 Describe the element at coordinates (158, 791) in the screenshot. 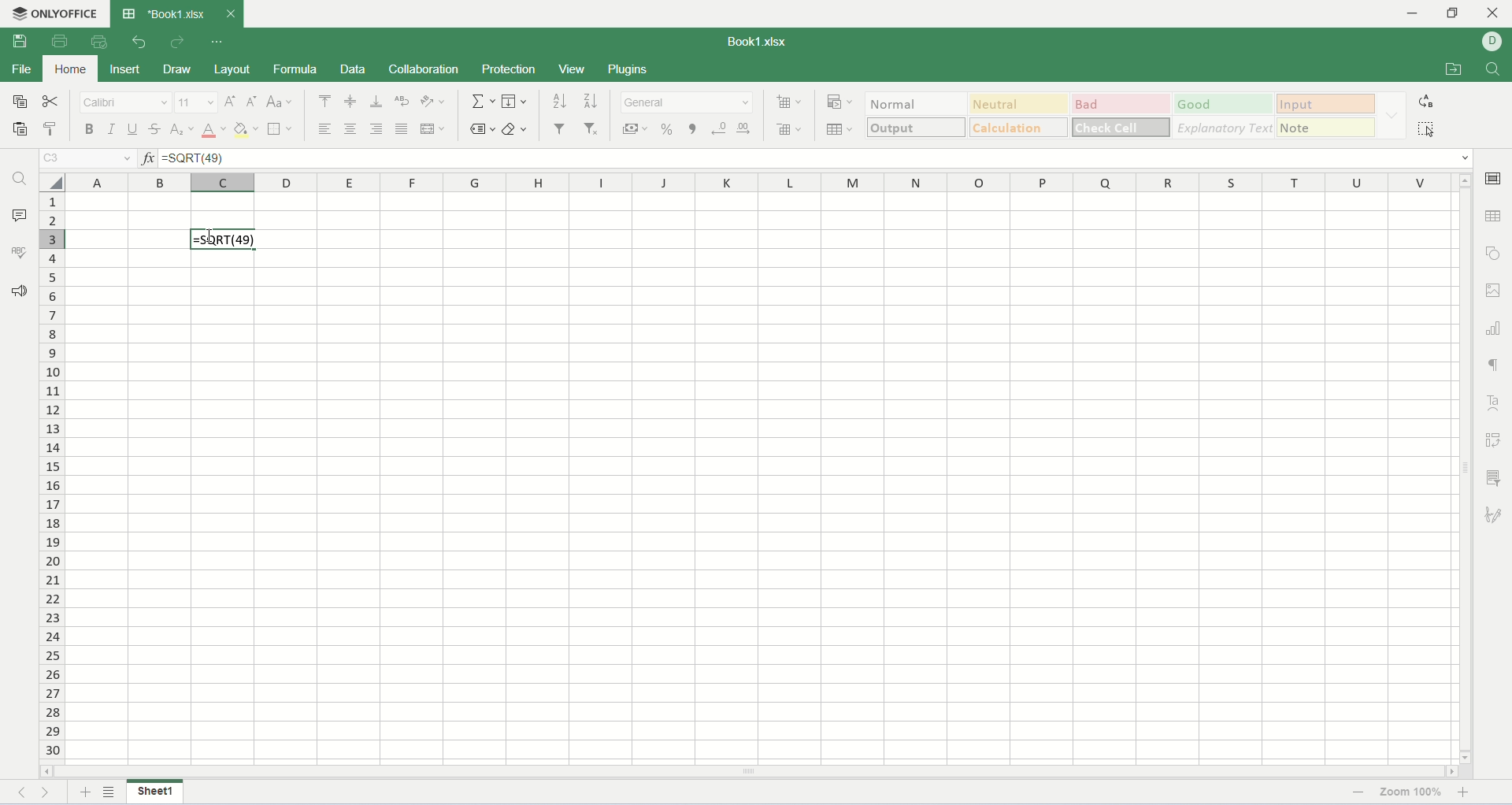

I see `sheet name` at that location.